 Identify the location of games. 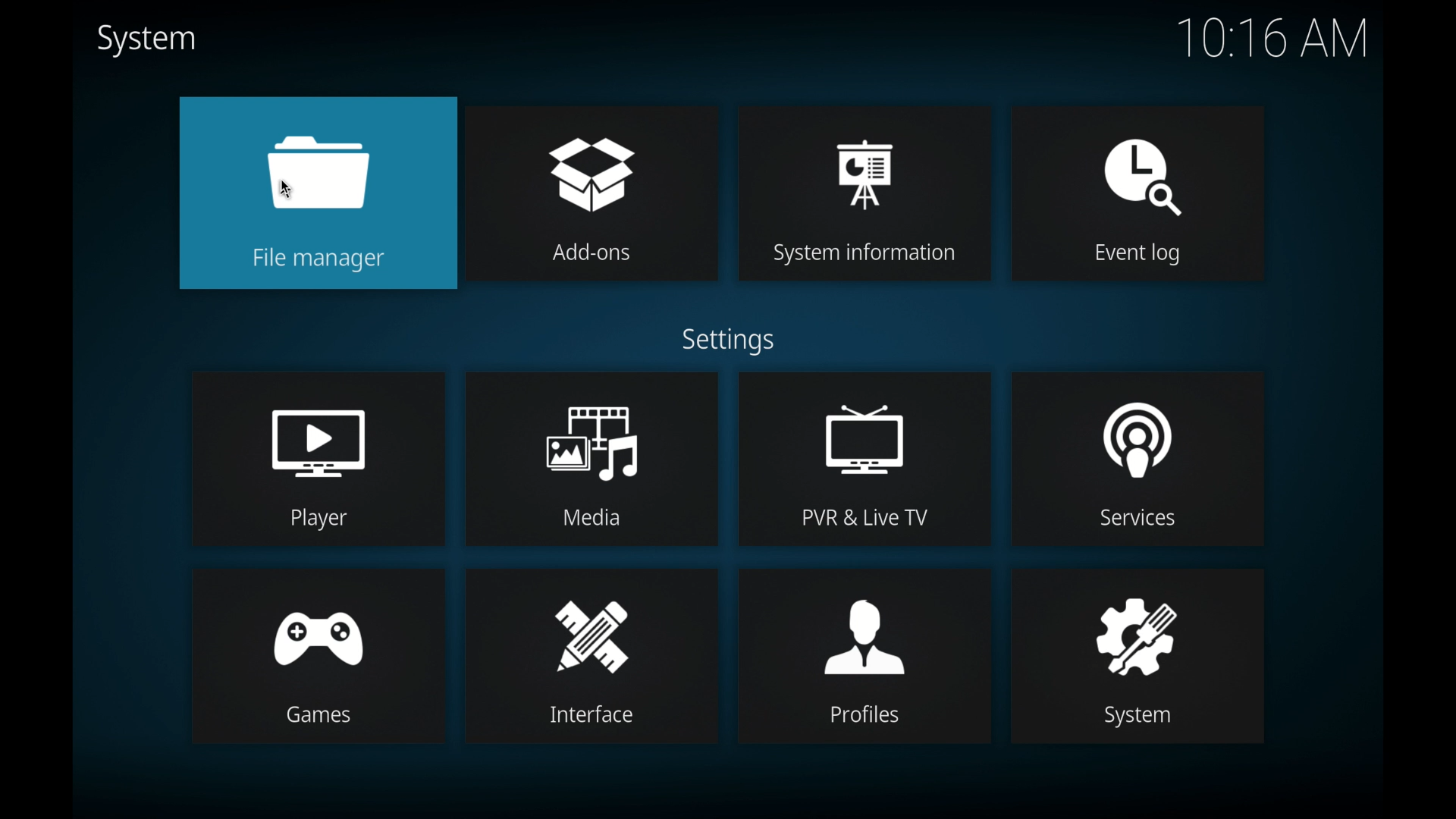
(318, 654).